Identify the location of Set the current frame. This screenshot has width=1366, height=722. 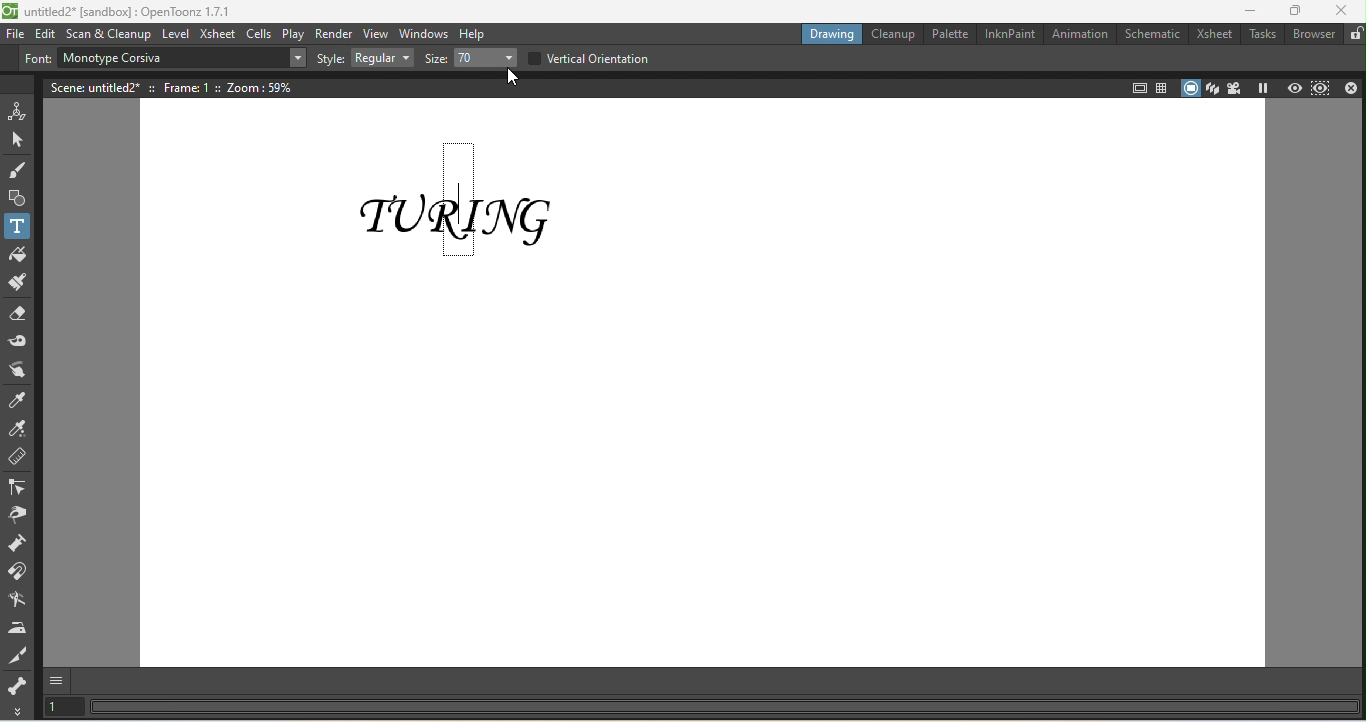
(62, 708).